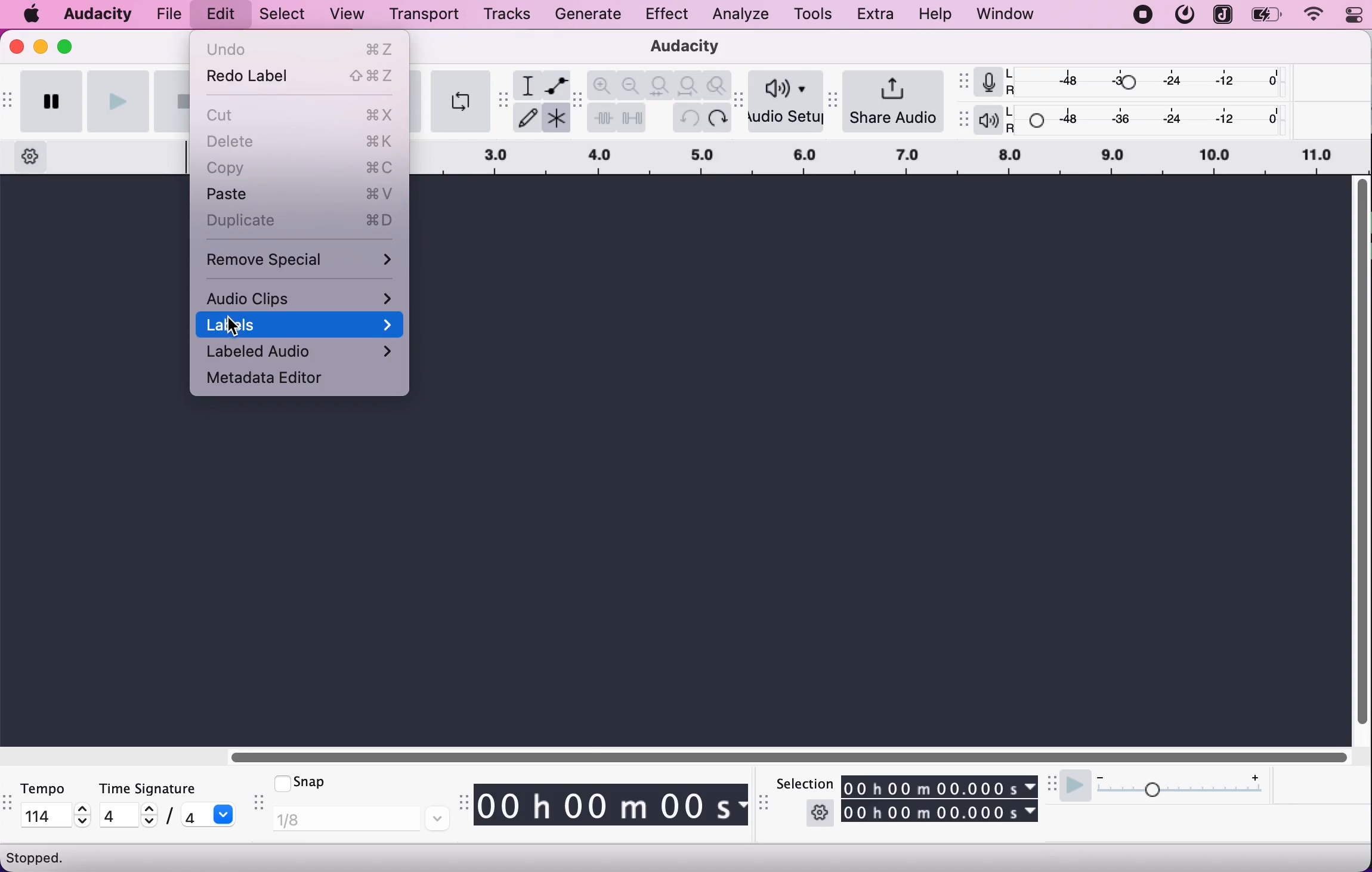  I want to click on increase, so click(148, 809).